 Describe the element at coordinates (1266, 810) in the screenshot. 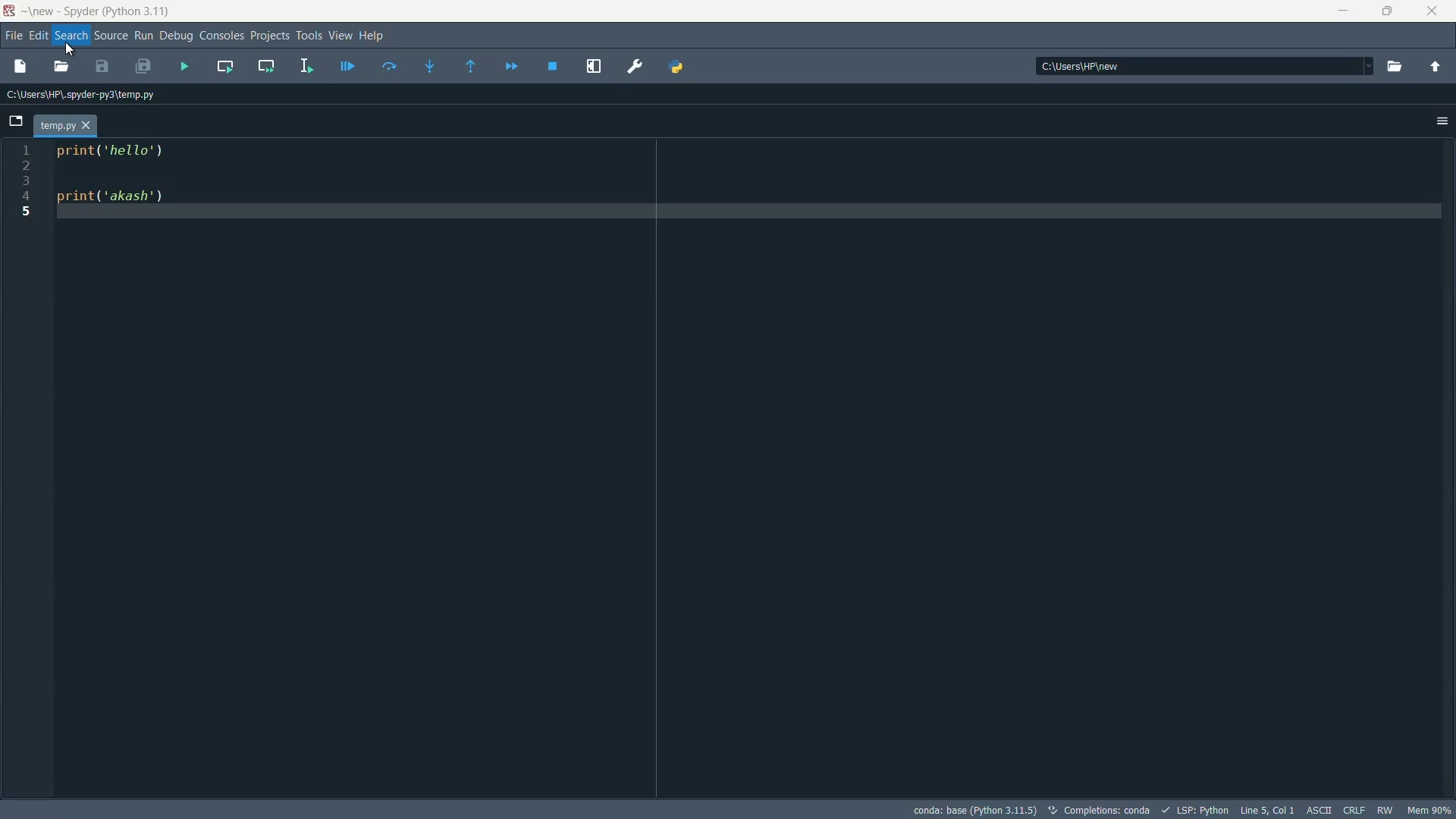

I see `Line 5, Col 1` at that location.